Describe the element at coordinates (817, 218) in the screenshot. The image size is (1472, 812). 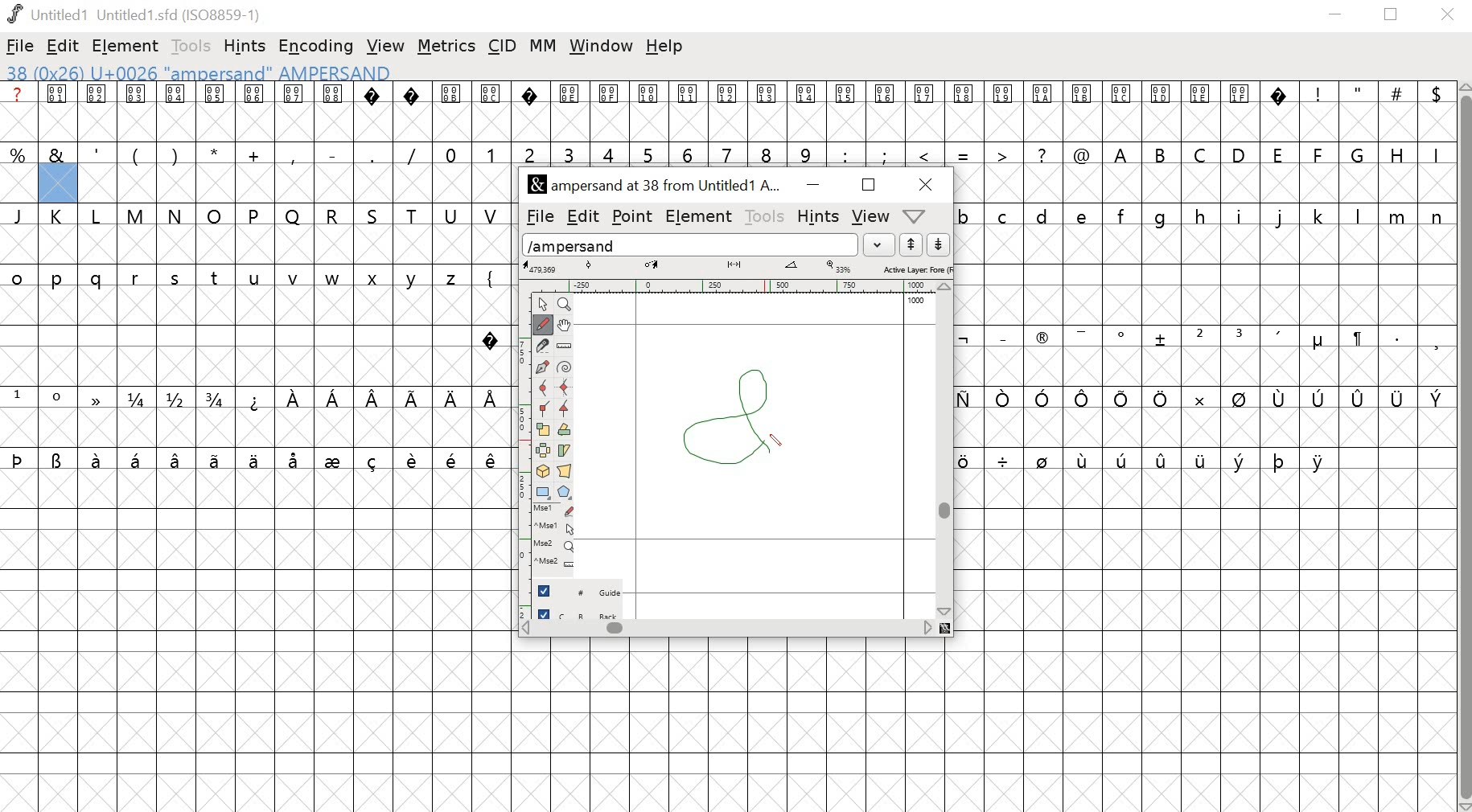
I see `HINTS` at that location.